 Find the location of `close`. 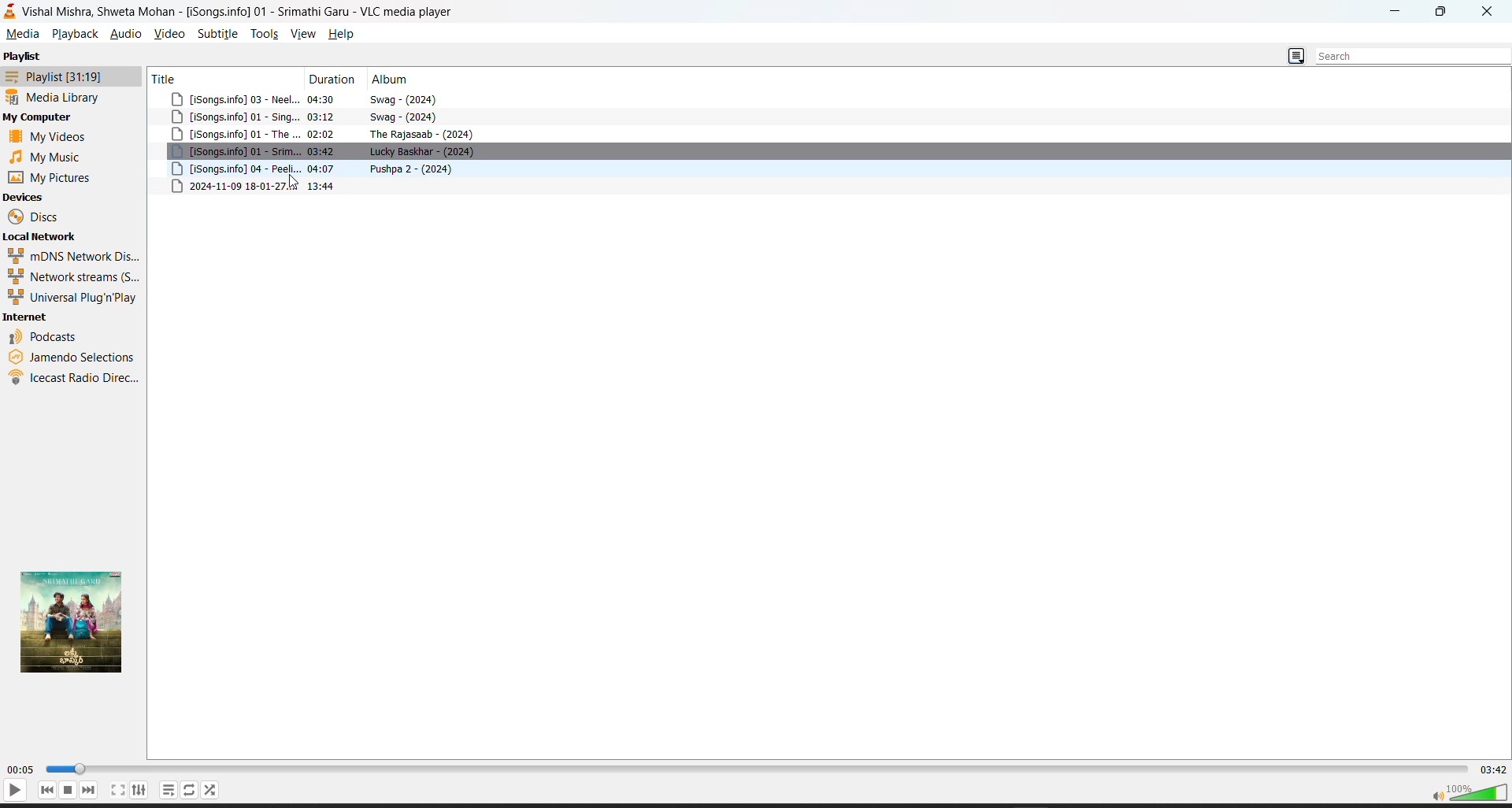

close is located at coordinates (1487, 10).